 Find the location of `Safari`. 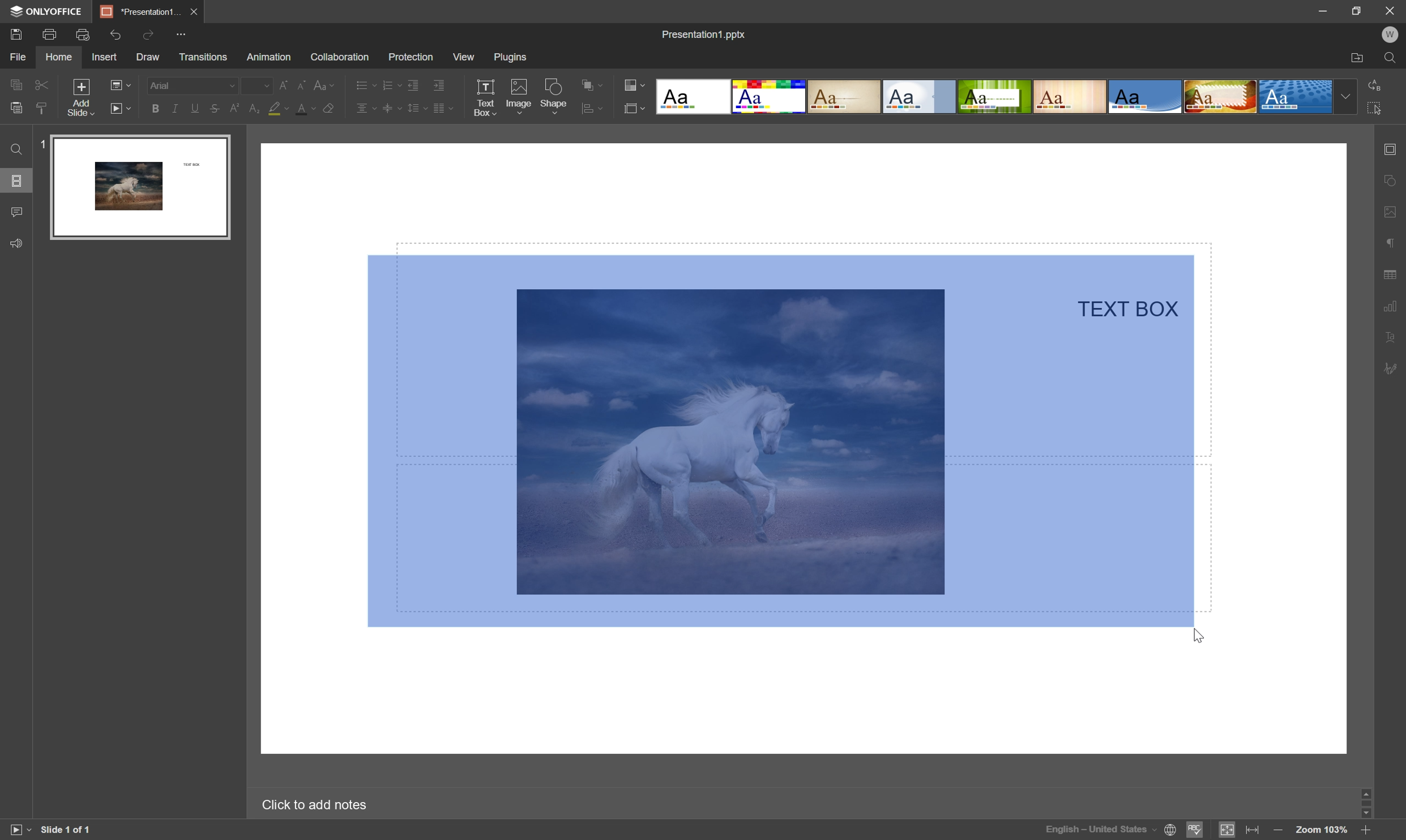

Safari is located at coordinates (1221, 98).